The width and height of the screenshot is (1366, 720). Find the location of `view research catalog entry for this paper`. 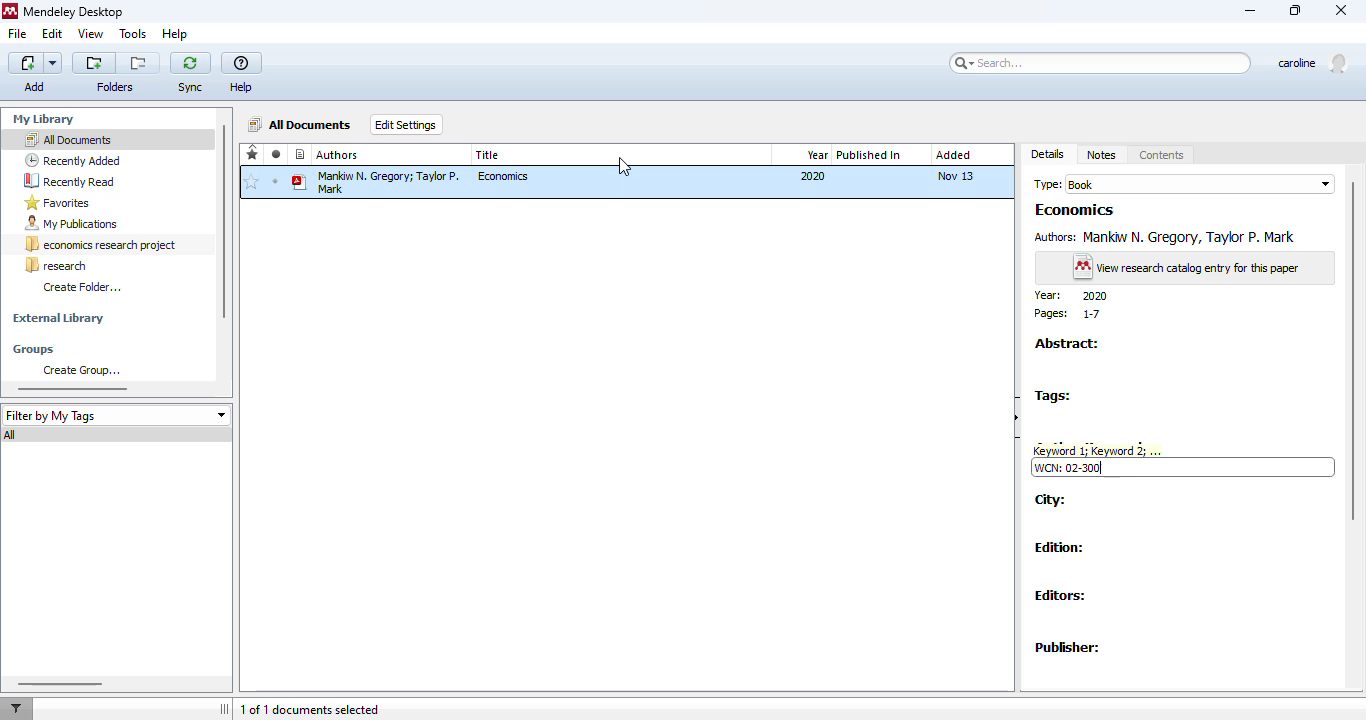

view research catalog entry for this paper is located at coordinates (1186, 267).